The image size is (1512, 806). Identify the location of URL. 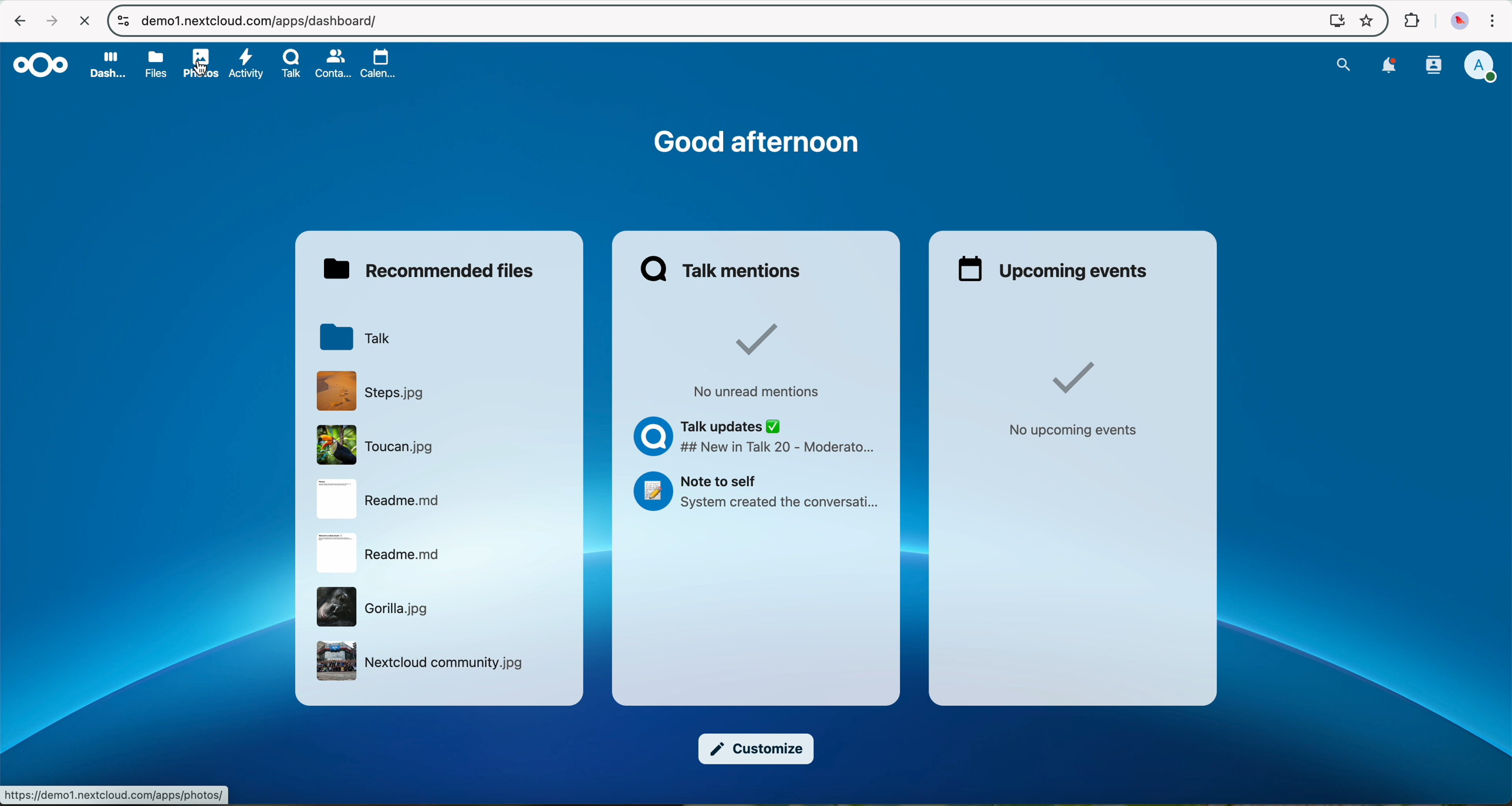
(115, 795).